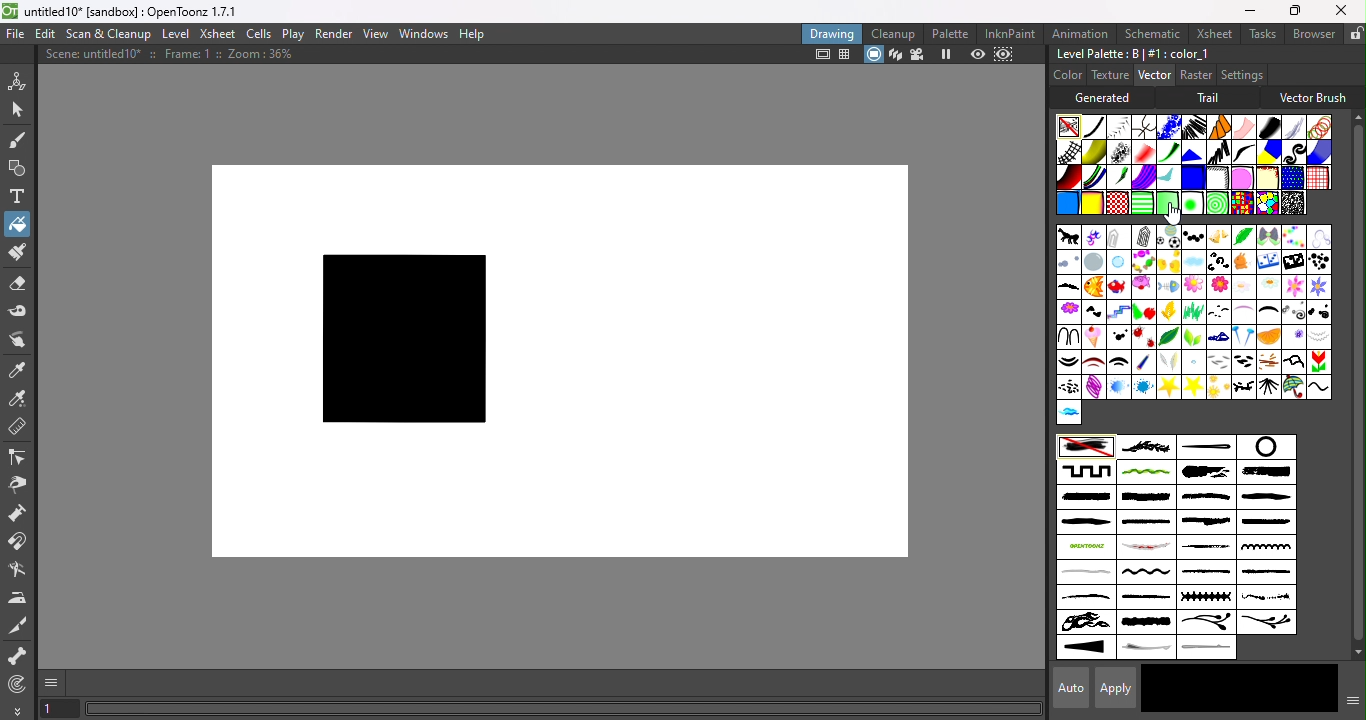 Image resolution: width=1366 pixels, height=720 pixels. Describe the element at coordinates (16, 35) in the screenshot. I see `File` at that location.